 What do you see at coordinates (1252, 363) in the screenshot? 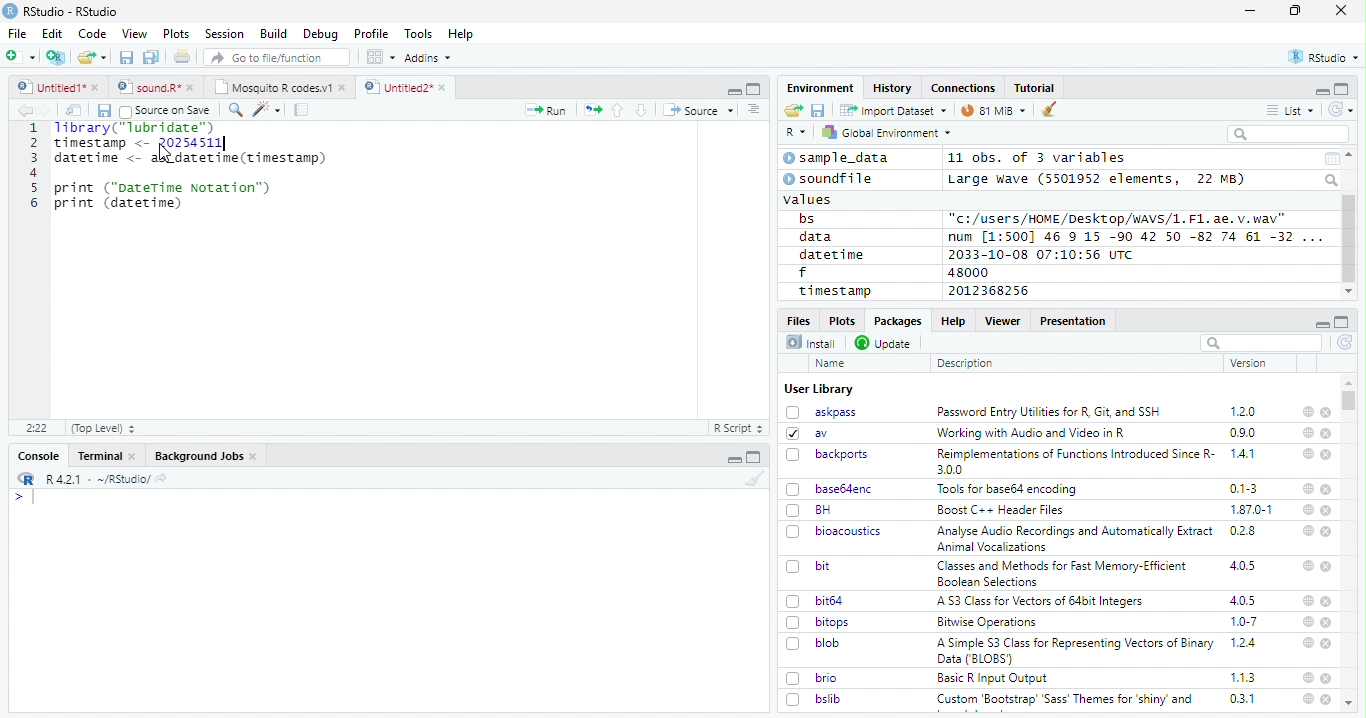
I see `Version` at bounding box center [1252, 363].